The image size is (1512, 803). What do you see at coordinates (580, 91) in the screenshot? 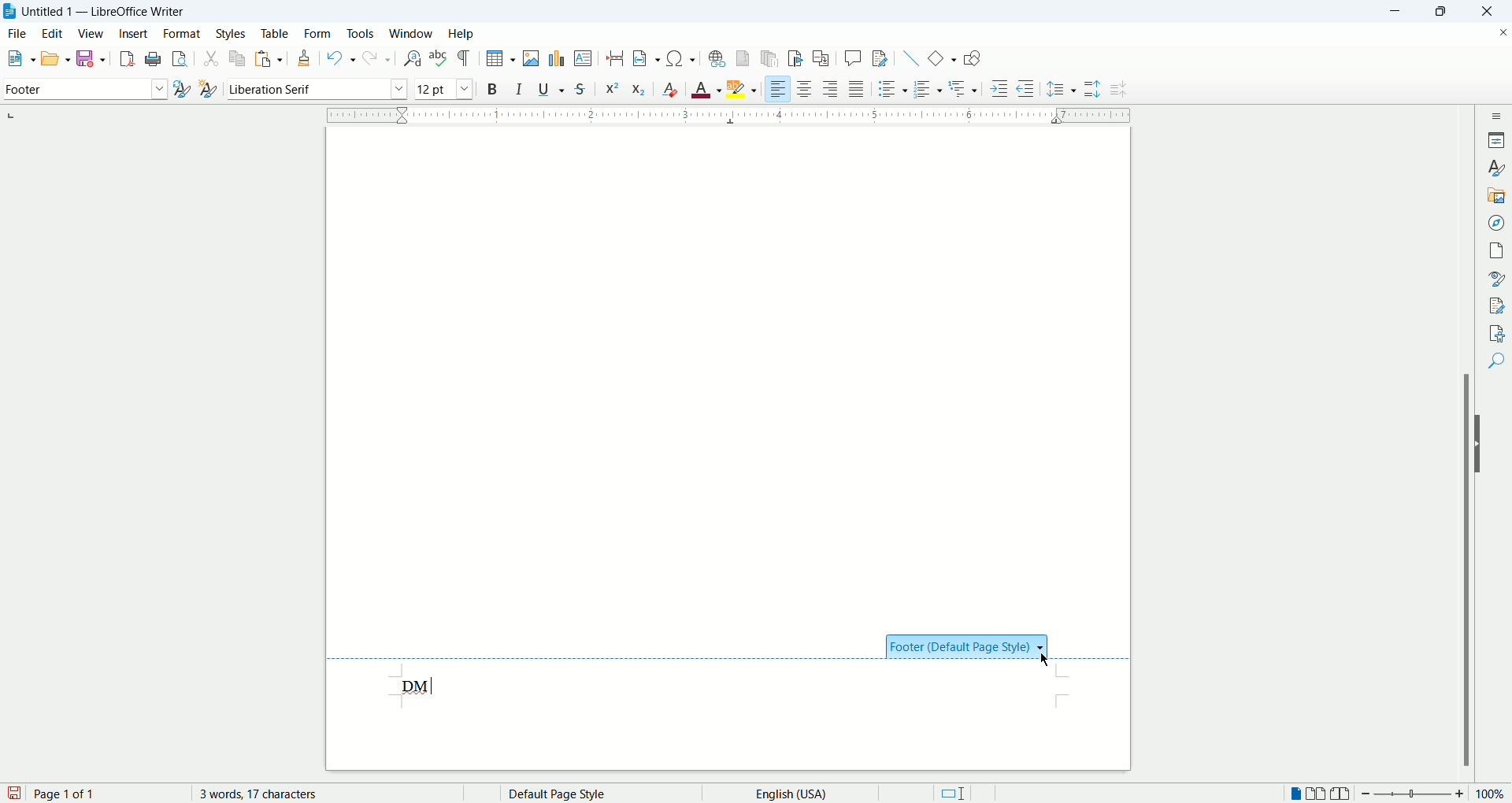
I see `strikethrough` at bounding box center [580, 91].